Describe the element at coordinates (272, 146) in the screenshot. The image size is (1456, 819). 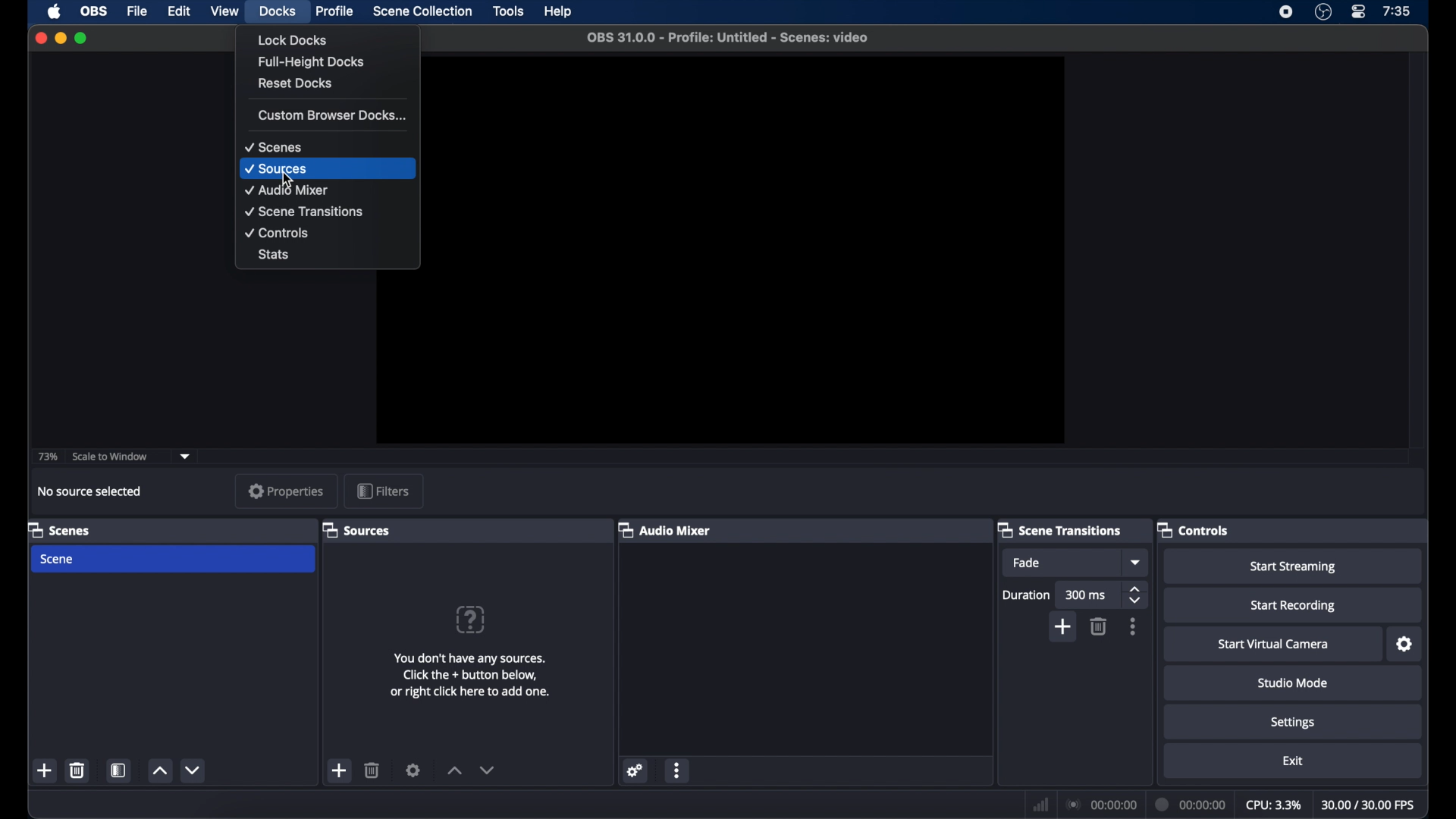
I see `scenes` at that location.